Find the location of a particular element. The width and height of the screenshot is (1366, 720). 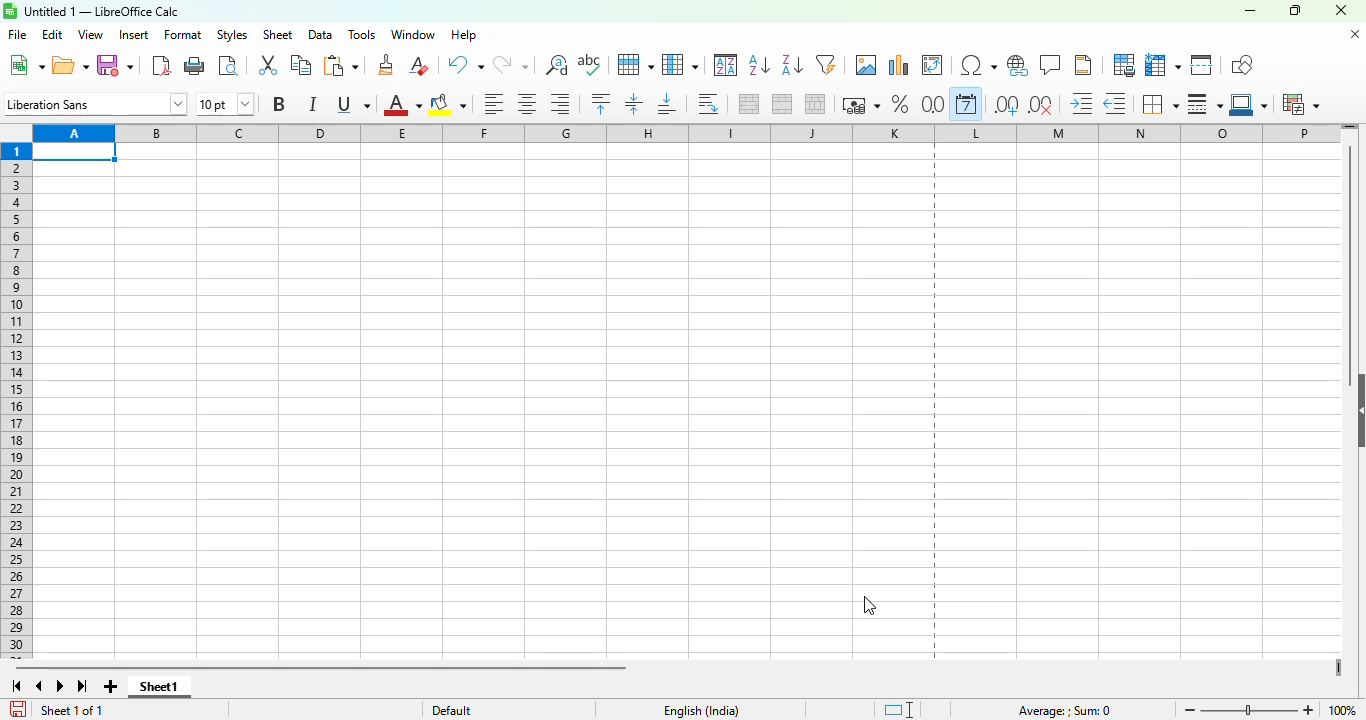

default is located at coordinates (452, 710).